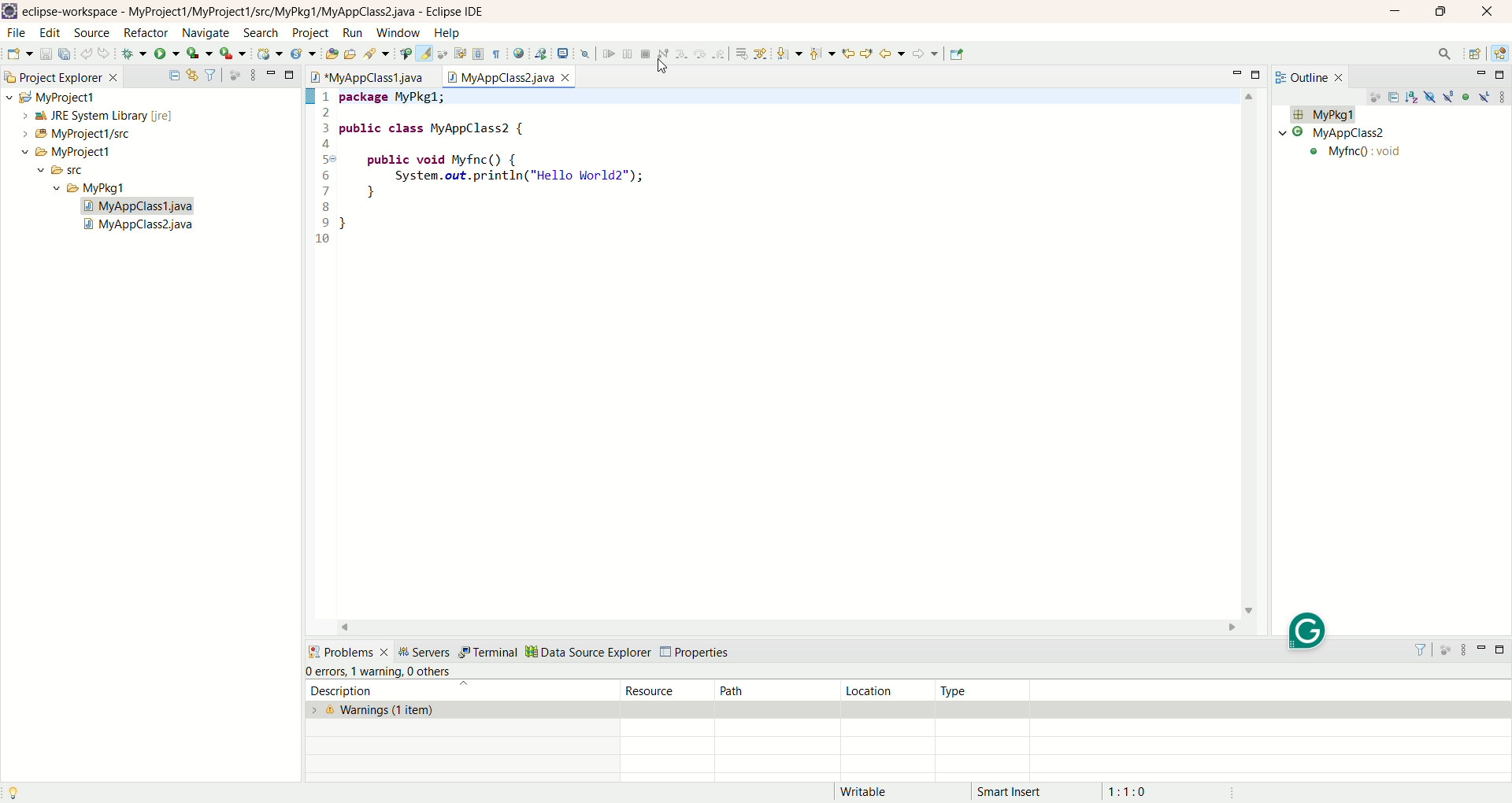 The width and height of the screenshot is (1512, 803). I want to click on open task, so click(349, 54).